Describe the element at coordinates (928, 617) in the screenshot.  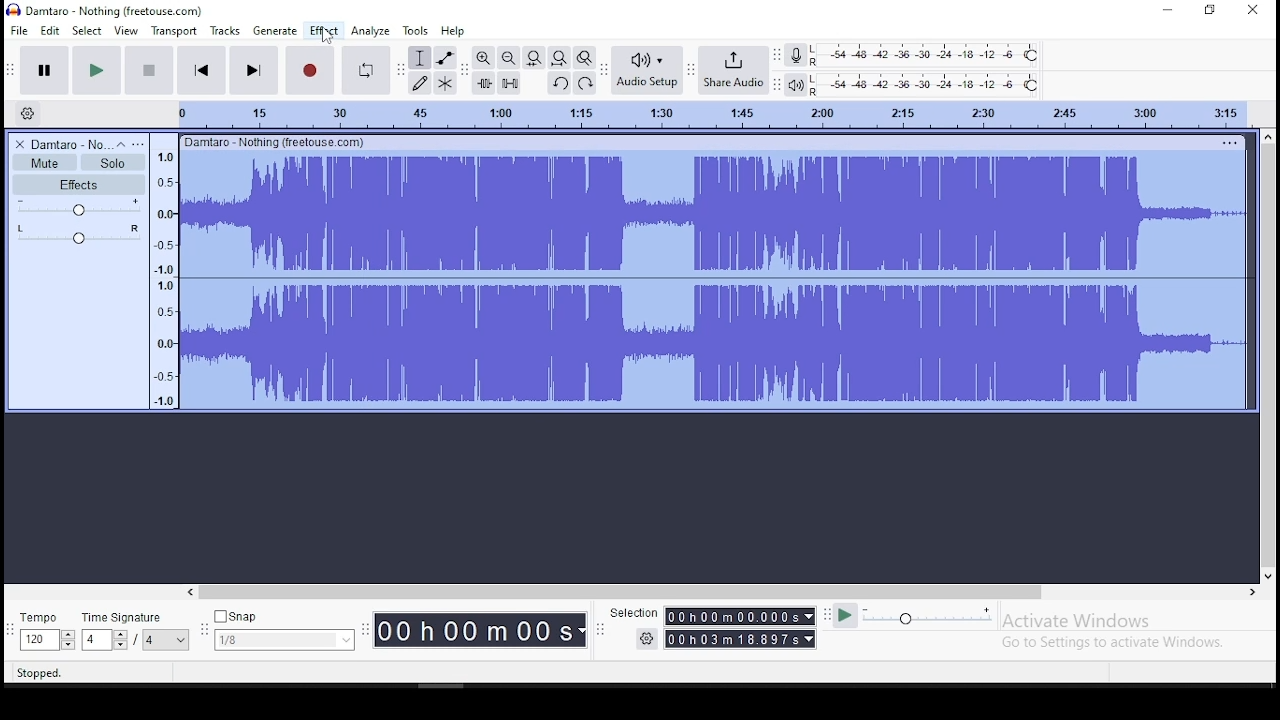
I see `playback speed` at that location.